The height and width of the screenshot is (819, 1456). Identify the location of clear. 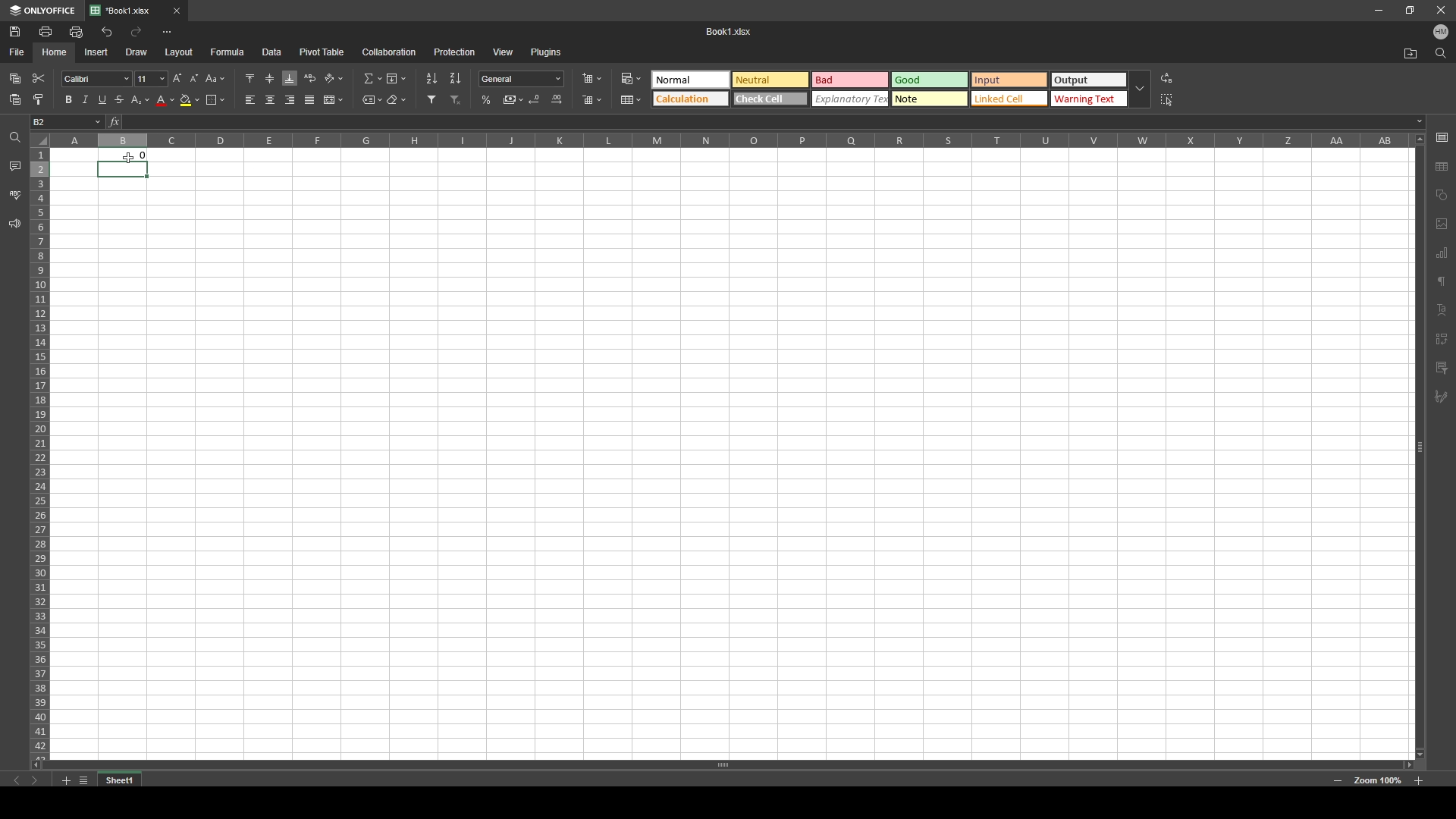
(396, 99).